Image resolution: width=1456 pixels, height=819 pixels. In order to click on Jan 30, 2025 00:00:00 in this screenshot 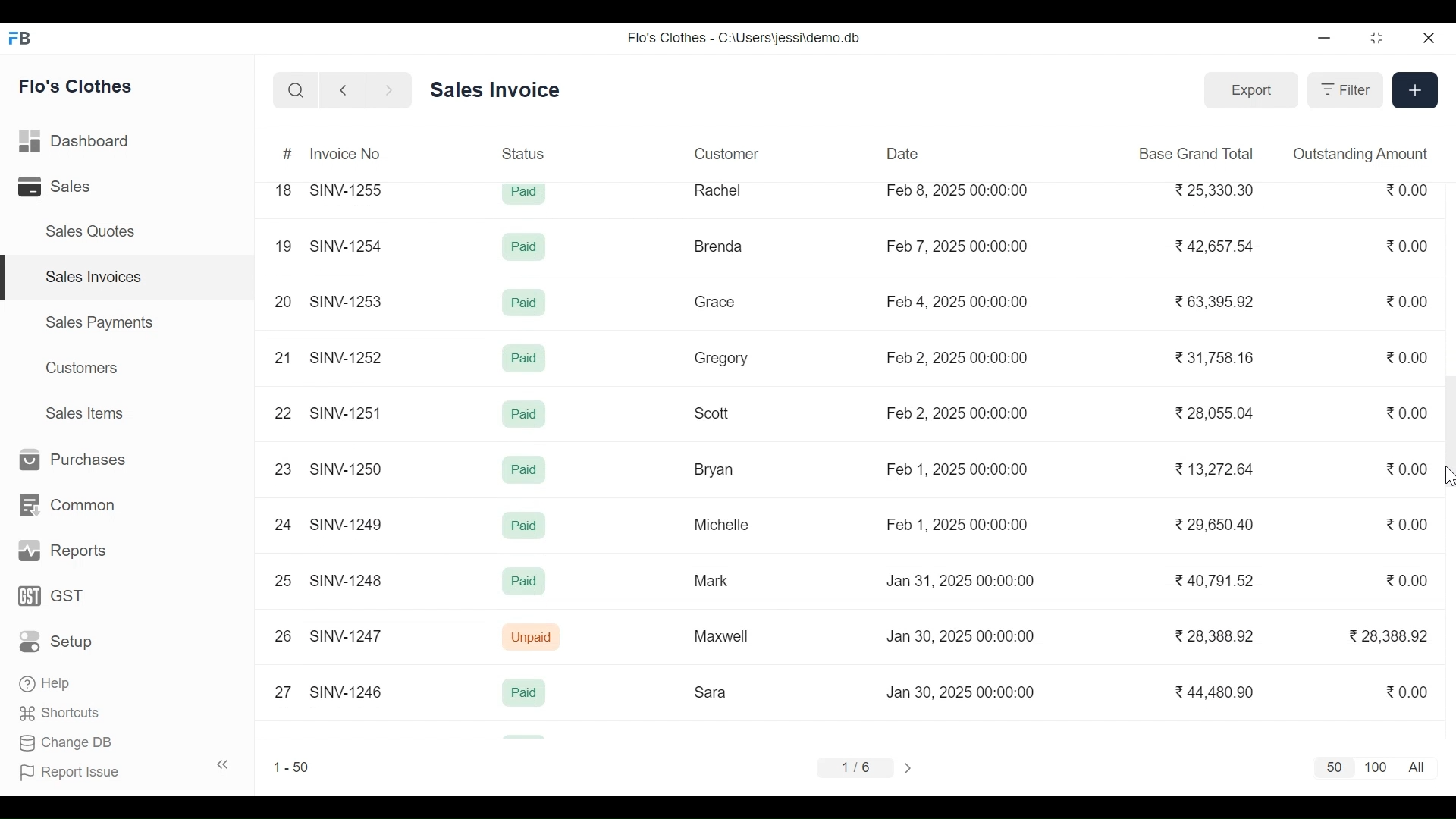, I will do `click(965, 636)`.